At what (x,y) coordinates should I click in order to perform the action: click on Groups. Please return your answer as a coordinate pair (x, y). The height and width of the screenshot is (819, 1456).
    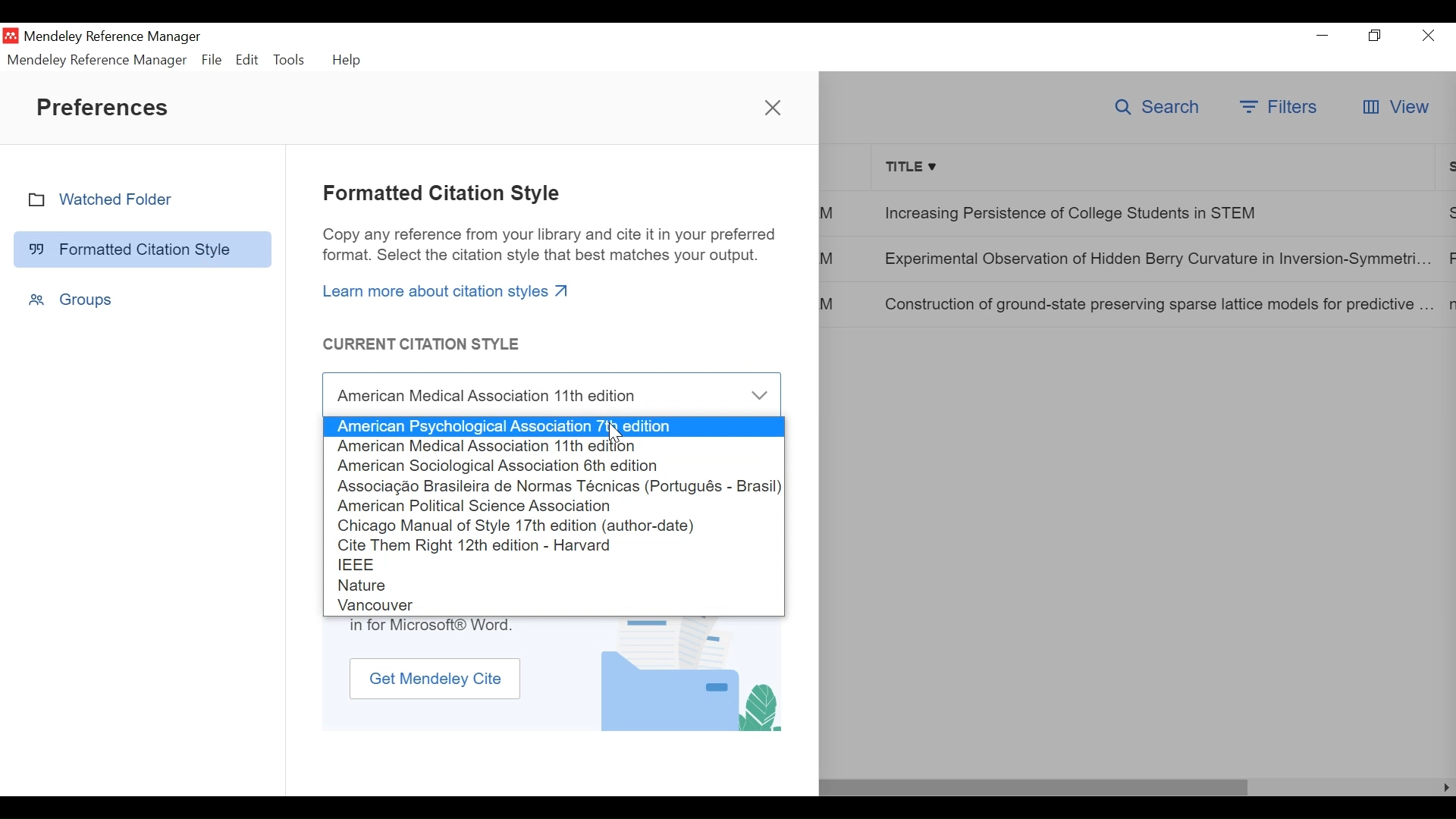
    Looking at the image, I should click on (71, 299).